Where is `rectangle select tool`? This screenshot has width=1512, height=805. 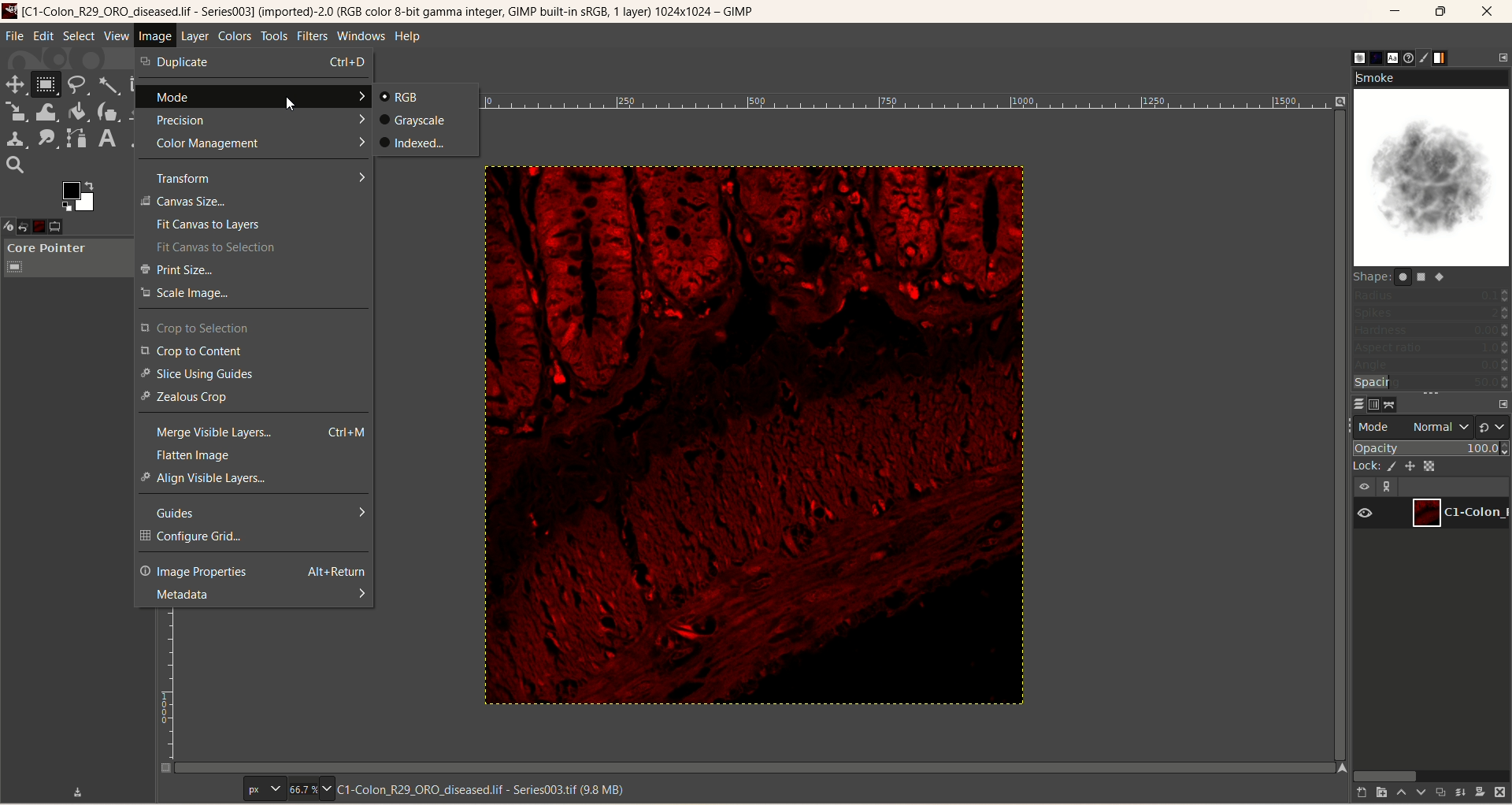 rectangle select tool is located at coordinates (50, 83).